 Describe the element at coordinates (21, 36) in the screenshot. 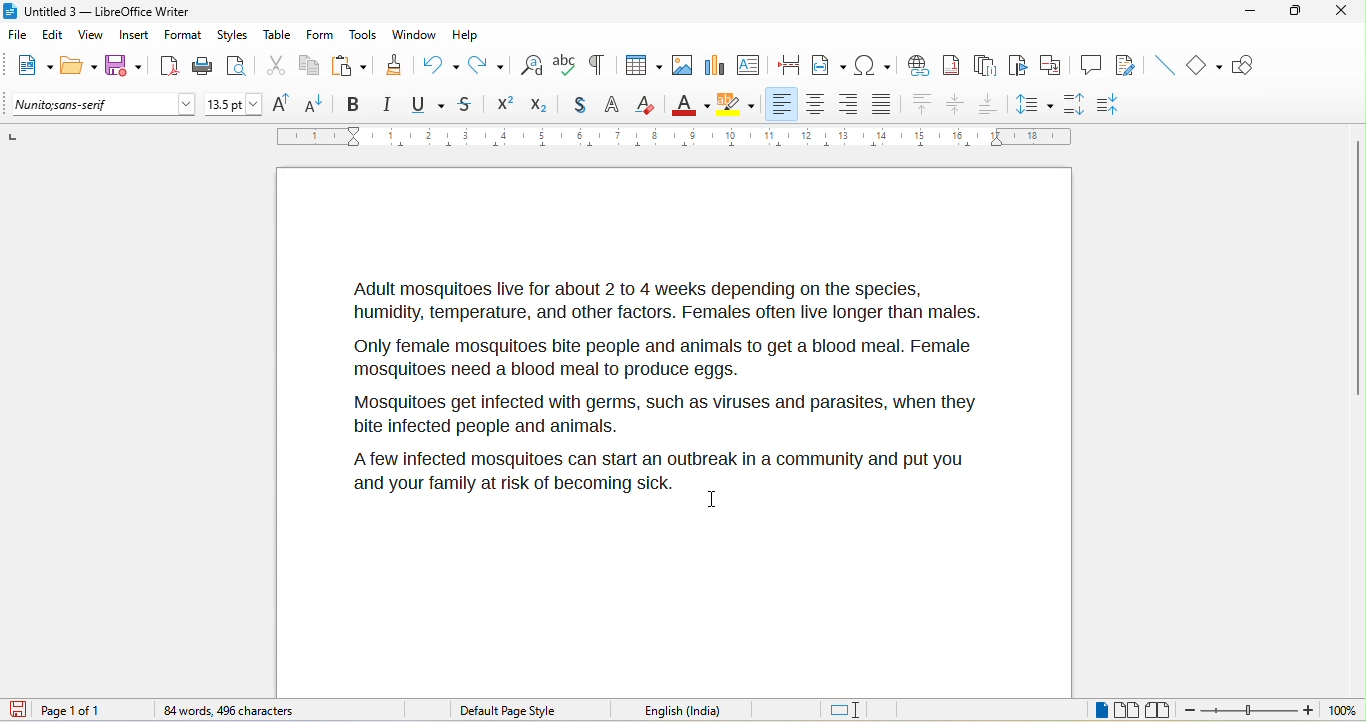

I see `file` at that location.